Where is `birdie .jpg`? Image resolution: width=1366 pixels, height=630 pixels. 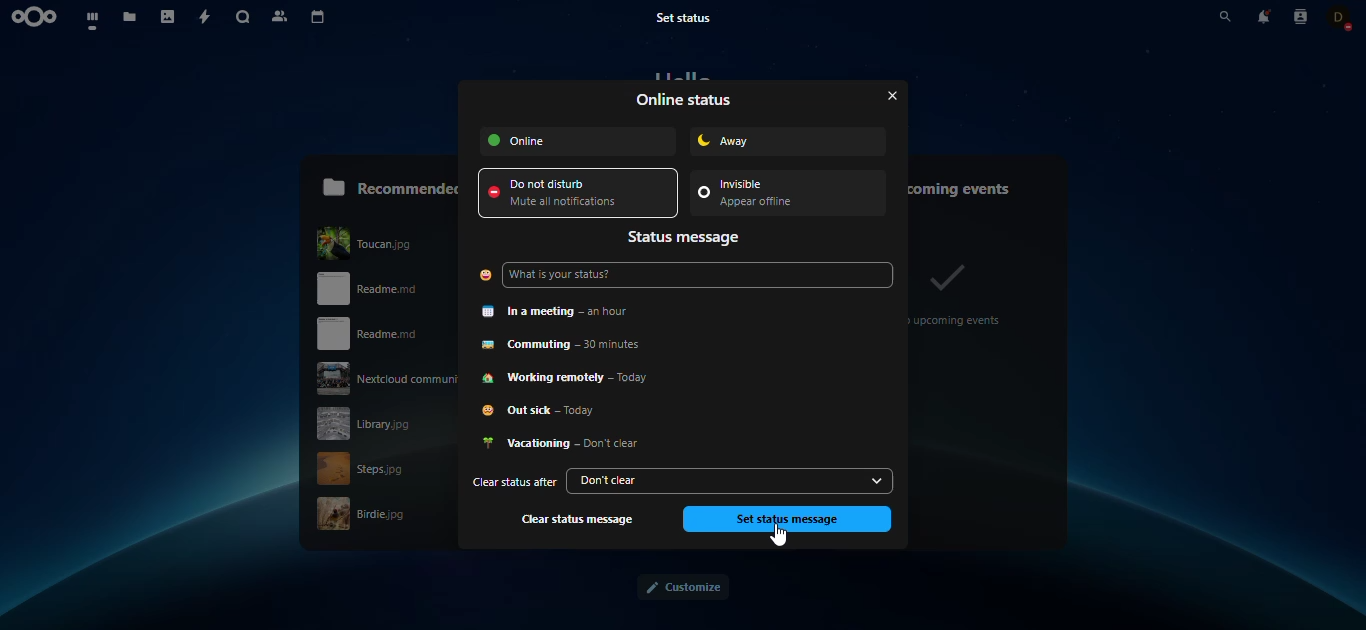 birdie .jpg is located at coordinates (374, 514).